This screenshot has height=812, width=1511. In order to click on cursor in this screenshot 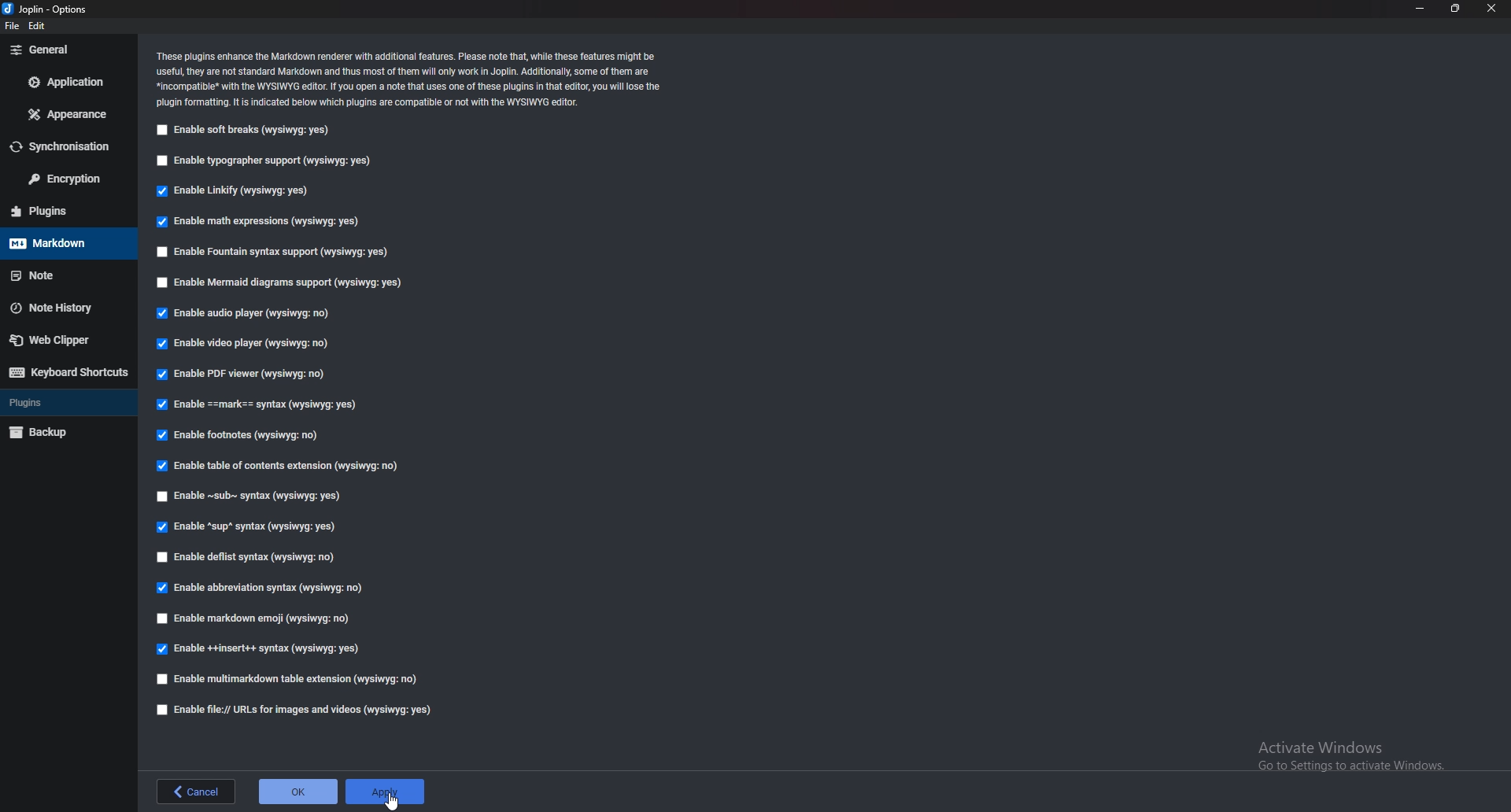, I will do `click(390, 799)`.